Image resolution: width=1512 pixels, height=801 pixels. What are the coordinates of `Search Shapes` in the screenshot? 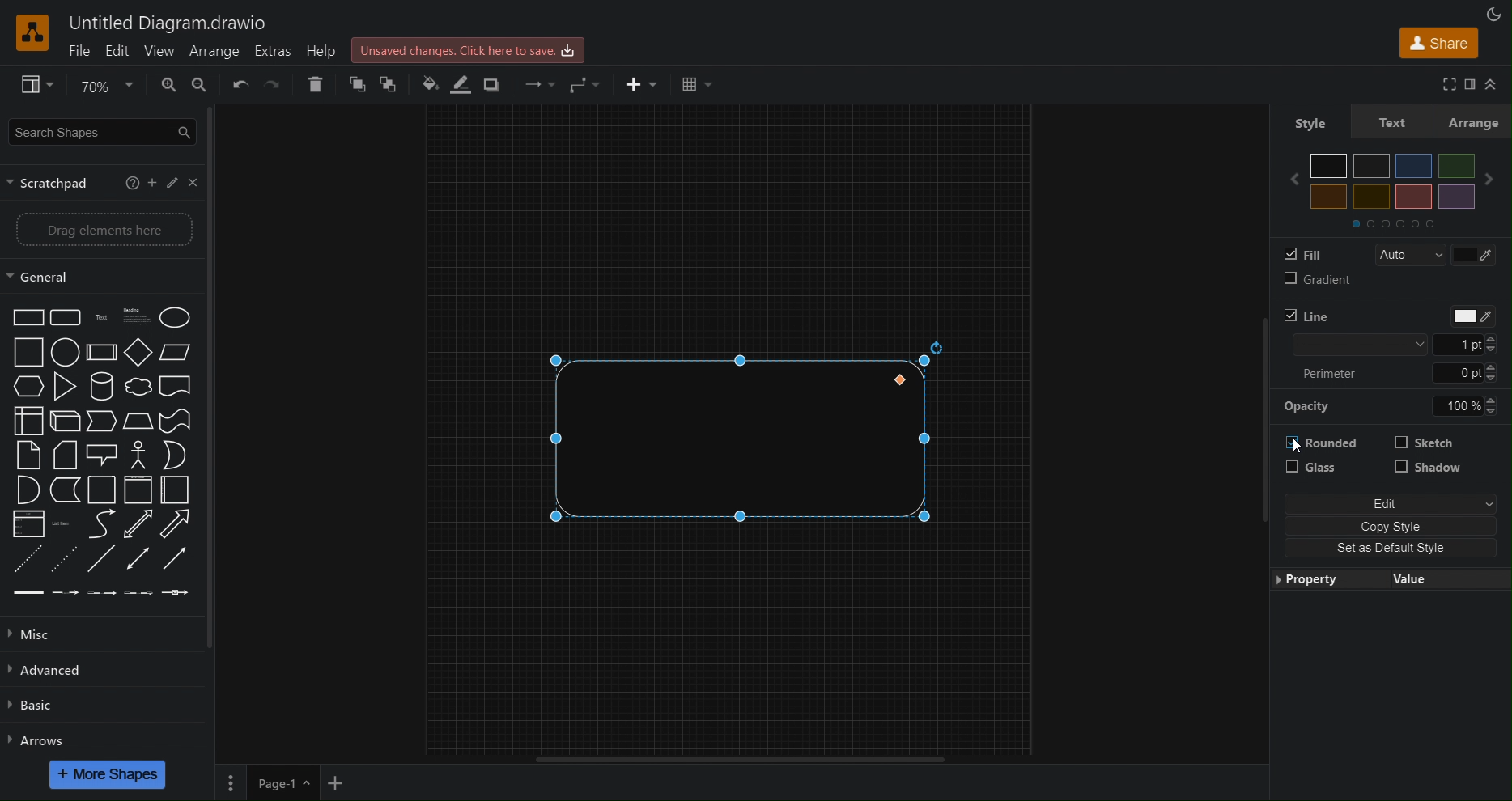 It's located at (101, 133).